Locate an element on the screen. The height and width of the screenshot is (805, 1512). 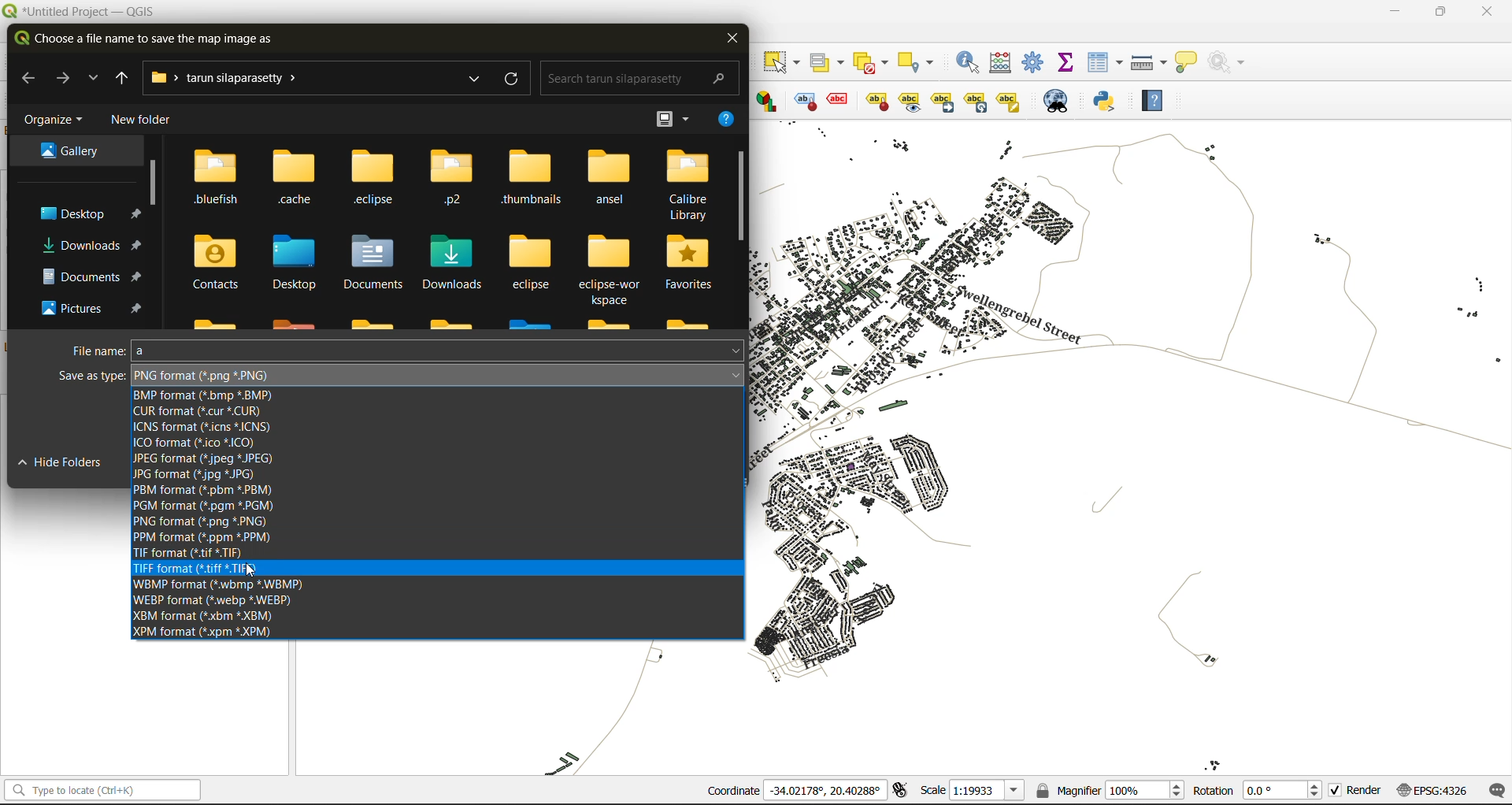
save is located at coordinates (591, 460).